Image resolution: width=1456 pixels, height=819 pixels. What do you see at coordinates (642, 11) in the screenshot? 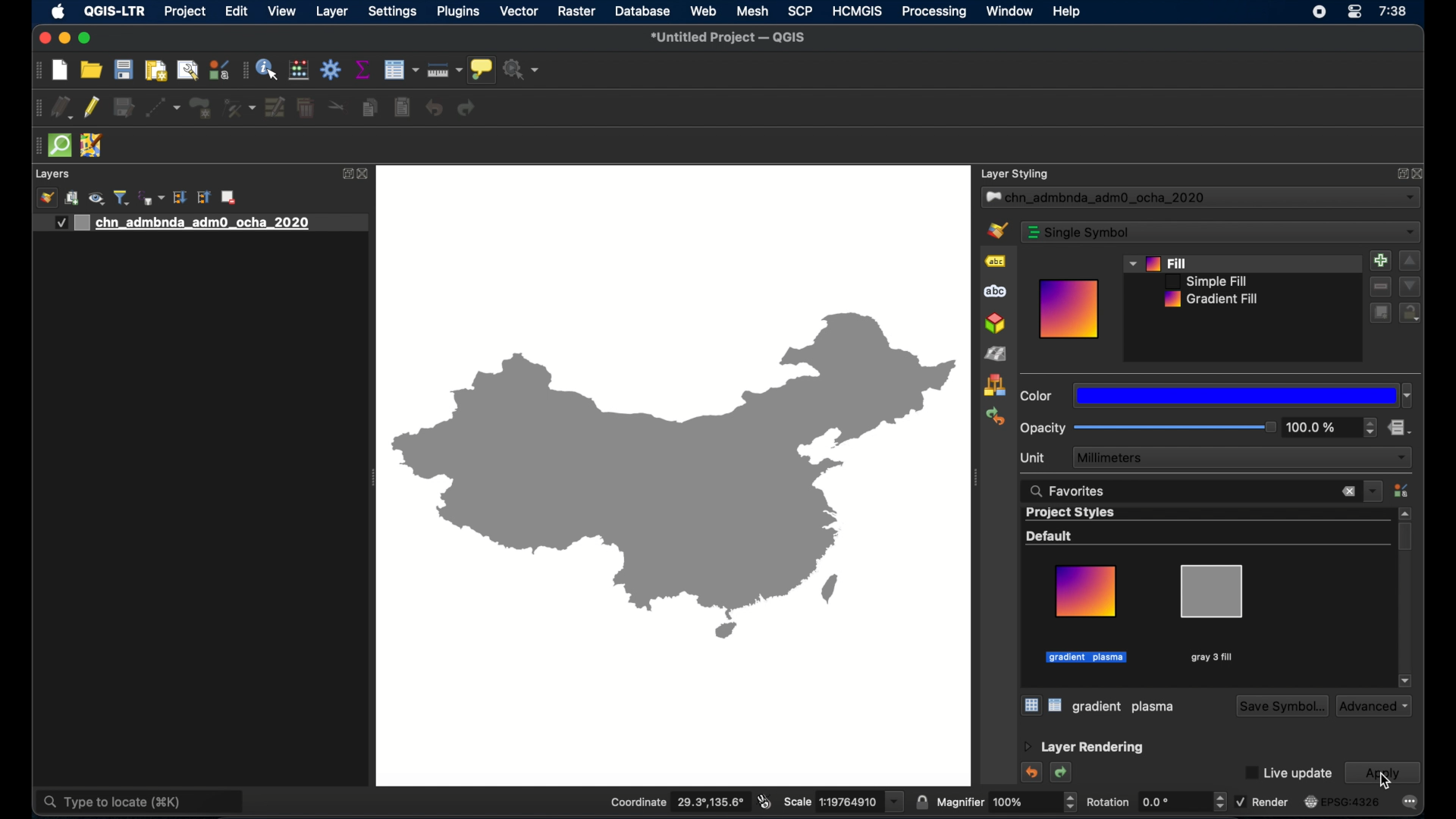
I see `database` at bounding box center [642, 11].